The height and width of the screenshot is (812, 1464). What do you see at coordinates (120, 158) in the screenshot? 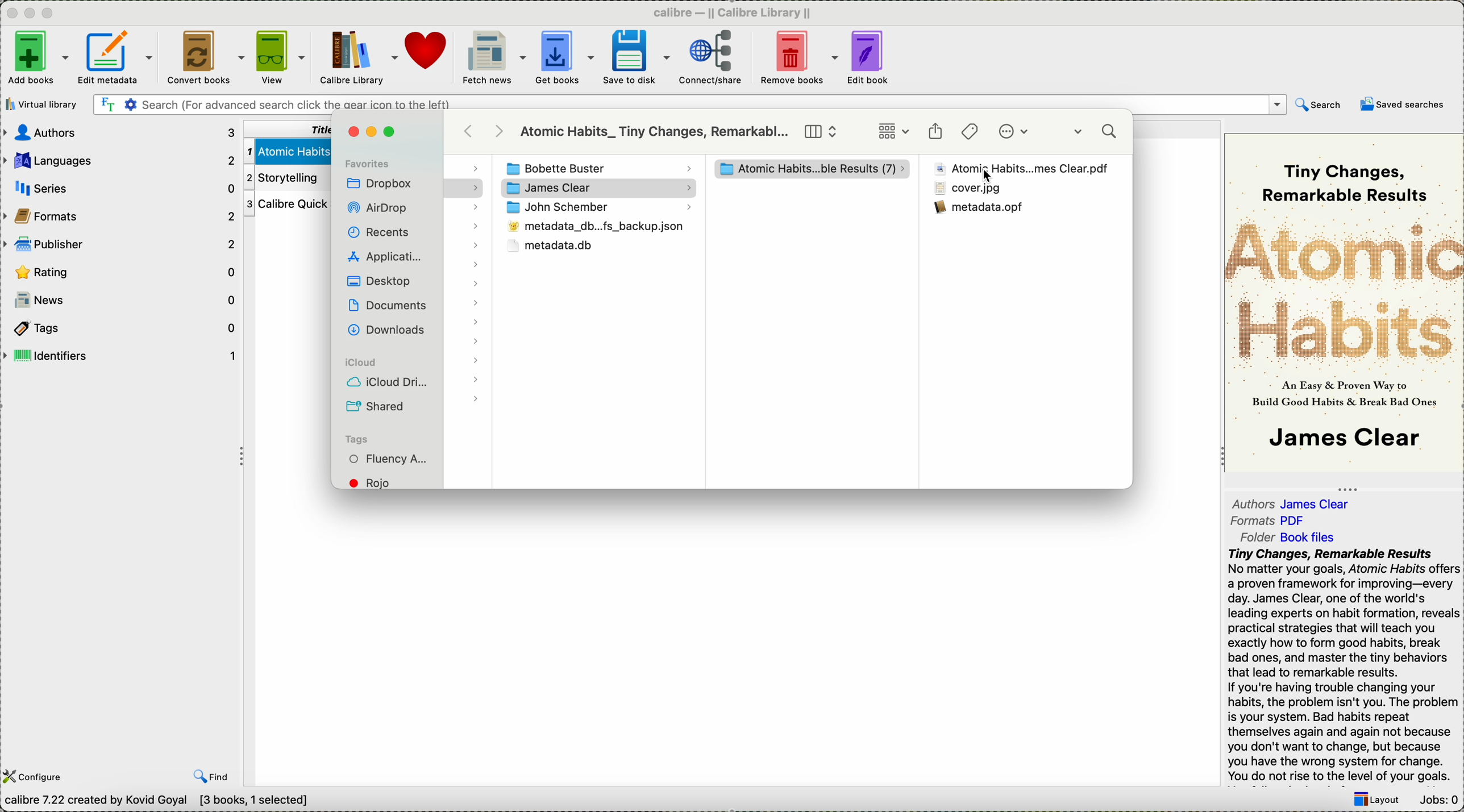
I see `languages` at bounding box center [120, 158].